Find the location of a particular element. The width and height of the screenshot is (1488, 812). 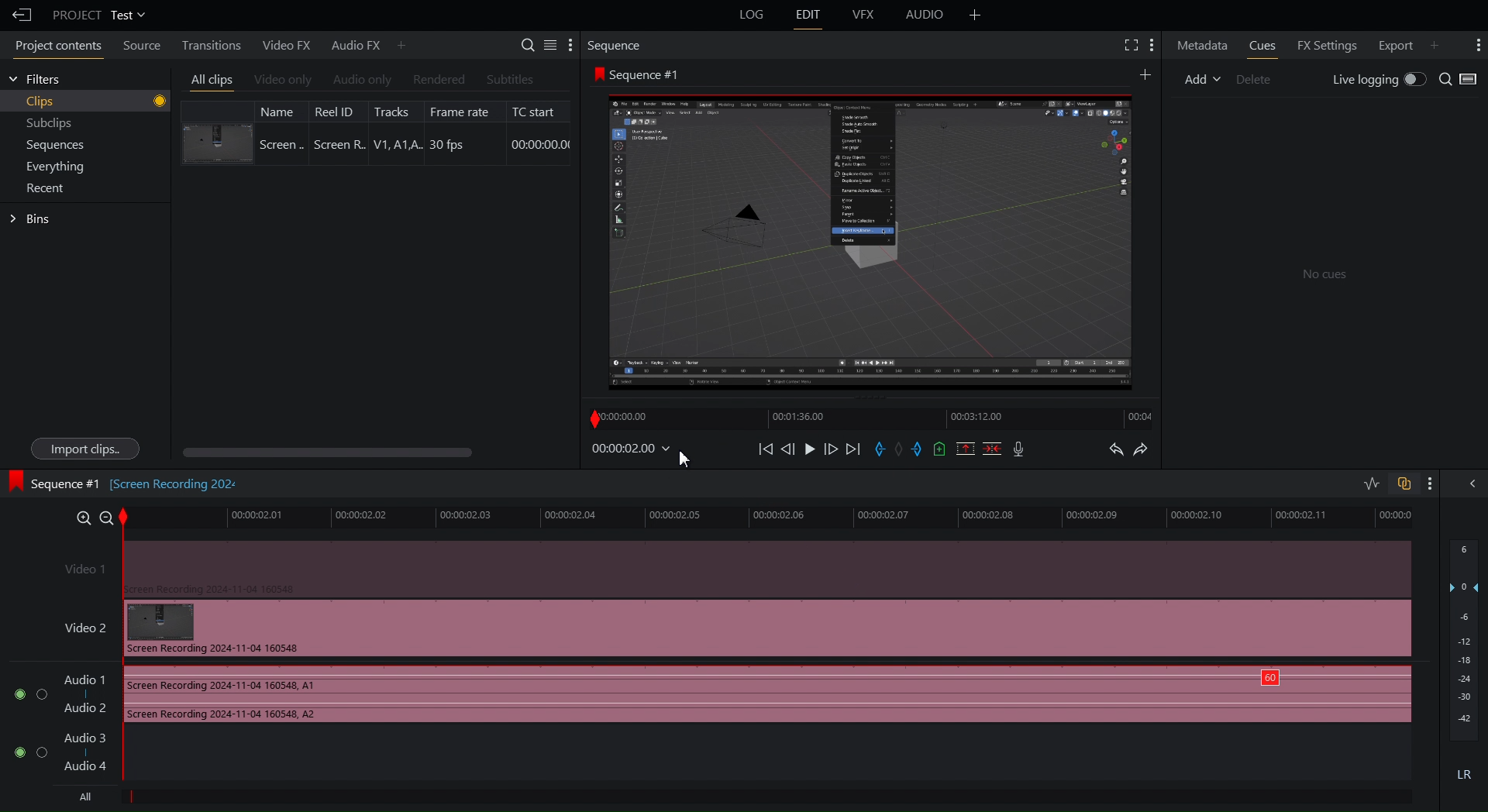

Project Test is located at coordinates (98, 15).